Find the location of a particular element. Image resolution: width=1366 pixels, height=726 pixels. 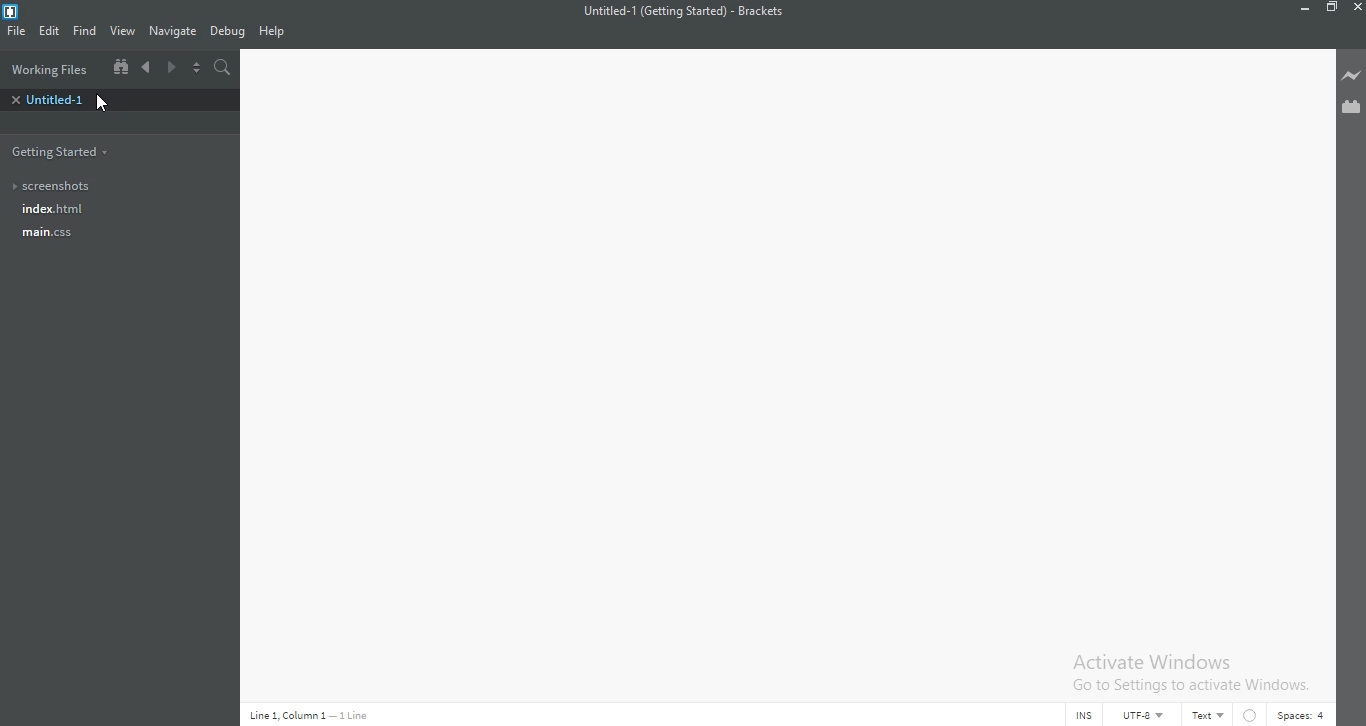

Close is located at coordinates (1357, 9).